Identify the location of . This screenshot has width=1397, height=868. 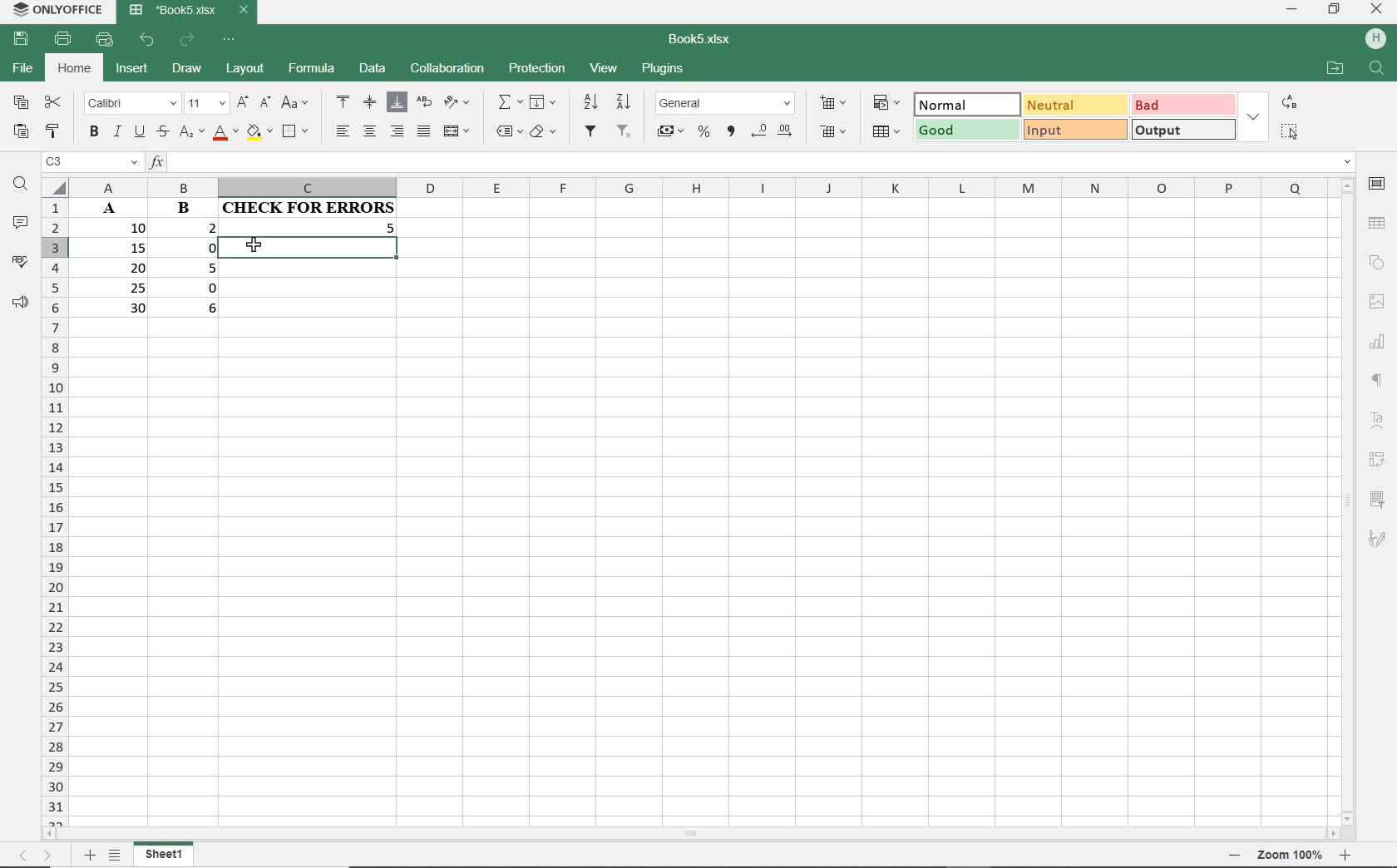
(1380, 339).